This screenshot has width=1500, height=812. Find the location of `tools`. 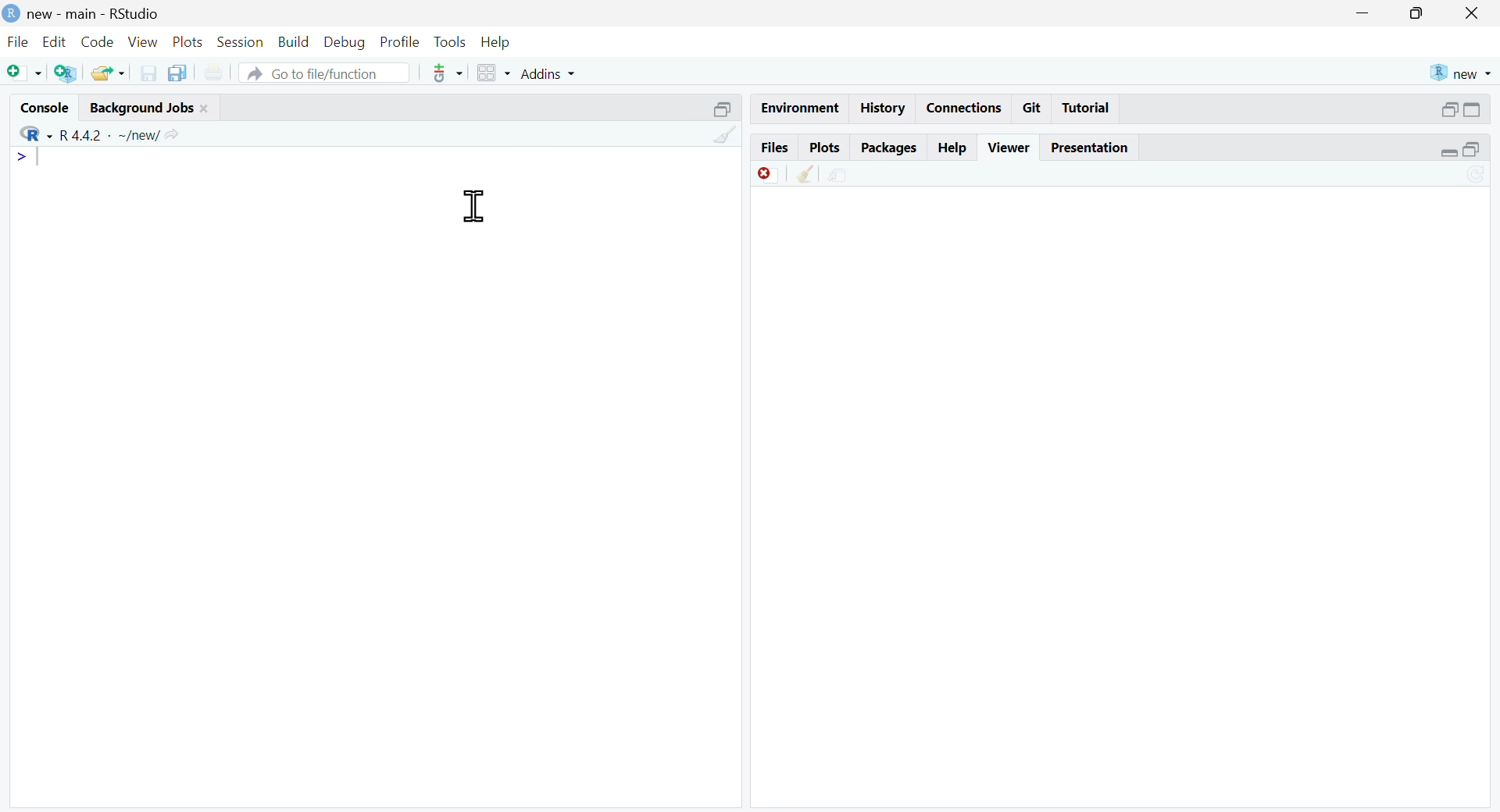

tools is located at coordinates (452, 44).